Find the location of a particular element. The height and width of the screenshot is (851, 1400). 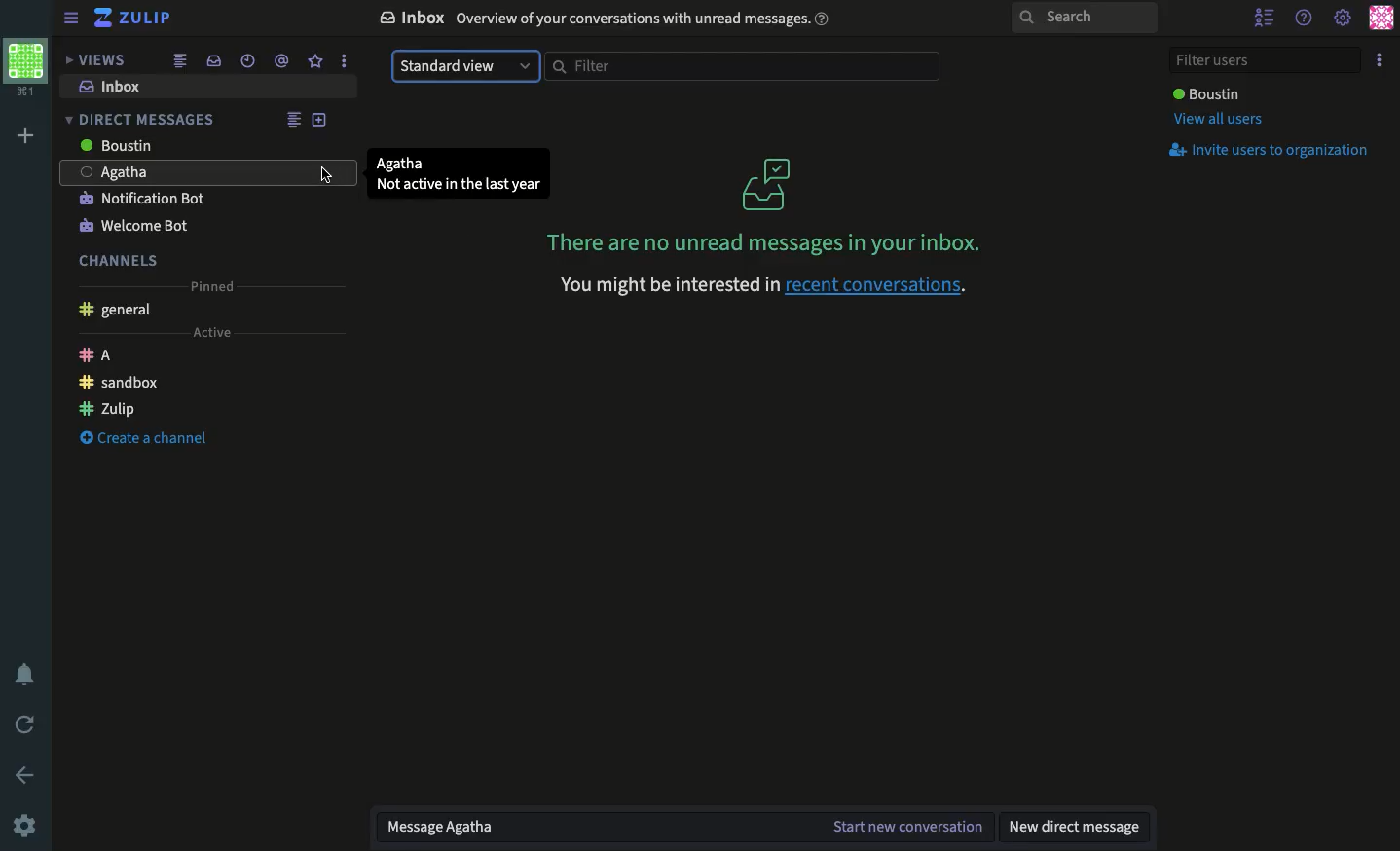

Hide menu is located at coordinates (71, 16).